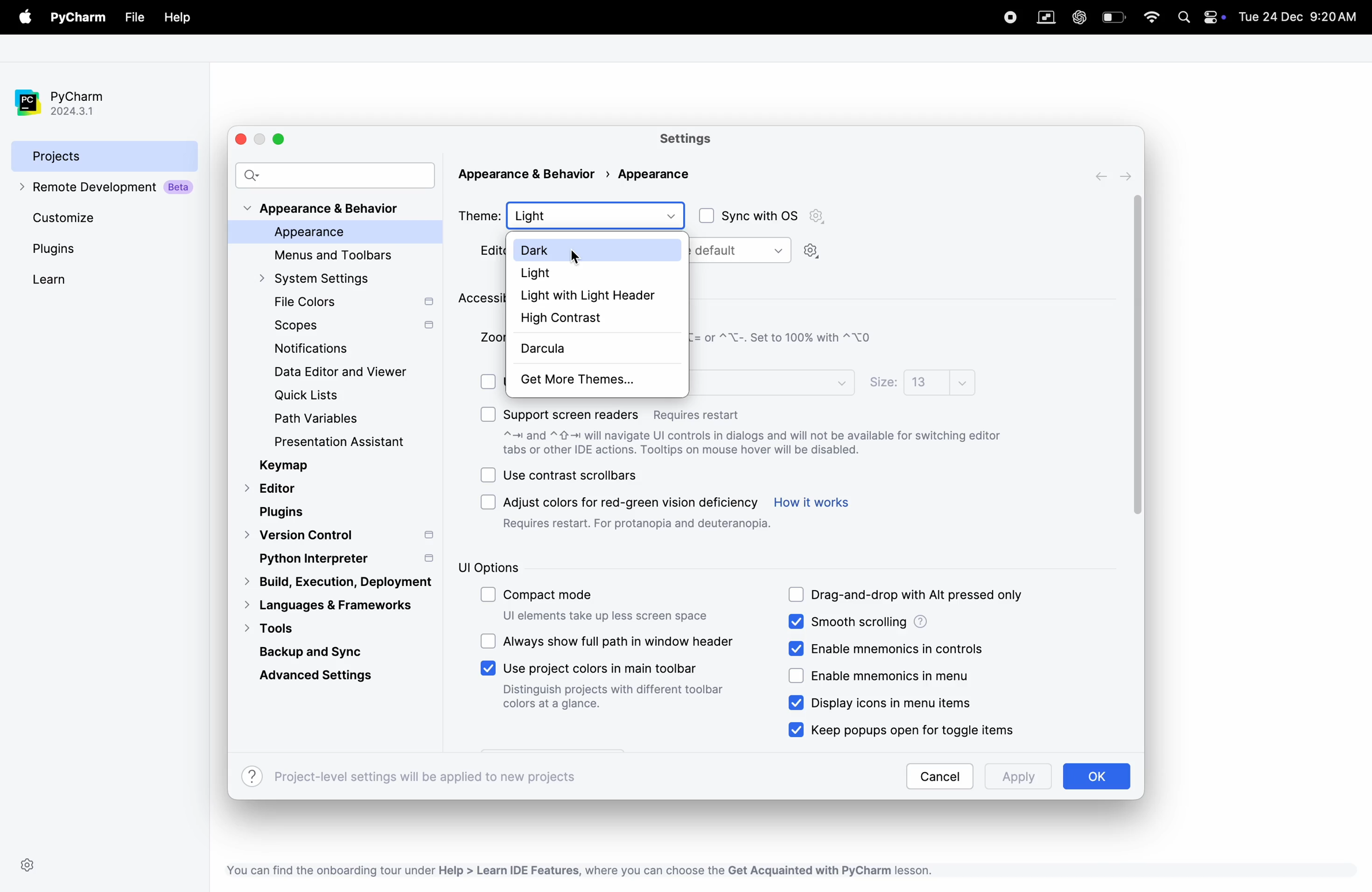  What do you see at coordinates (1183, 18) in the screenshot?
I see `spotlight search` at bounding box center [1183, 18].